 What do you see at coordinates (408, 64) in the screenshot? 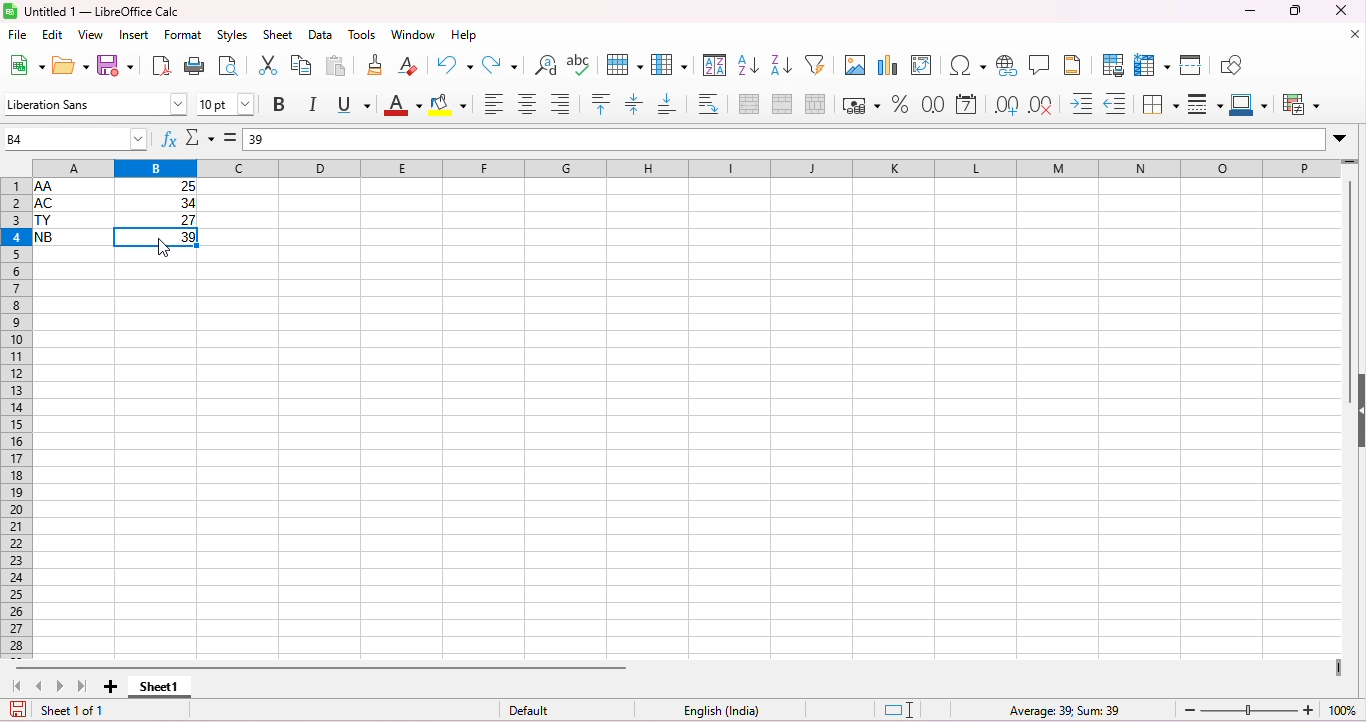
I see `clear direct formatting` at bounding box center [408, 64].